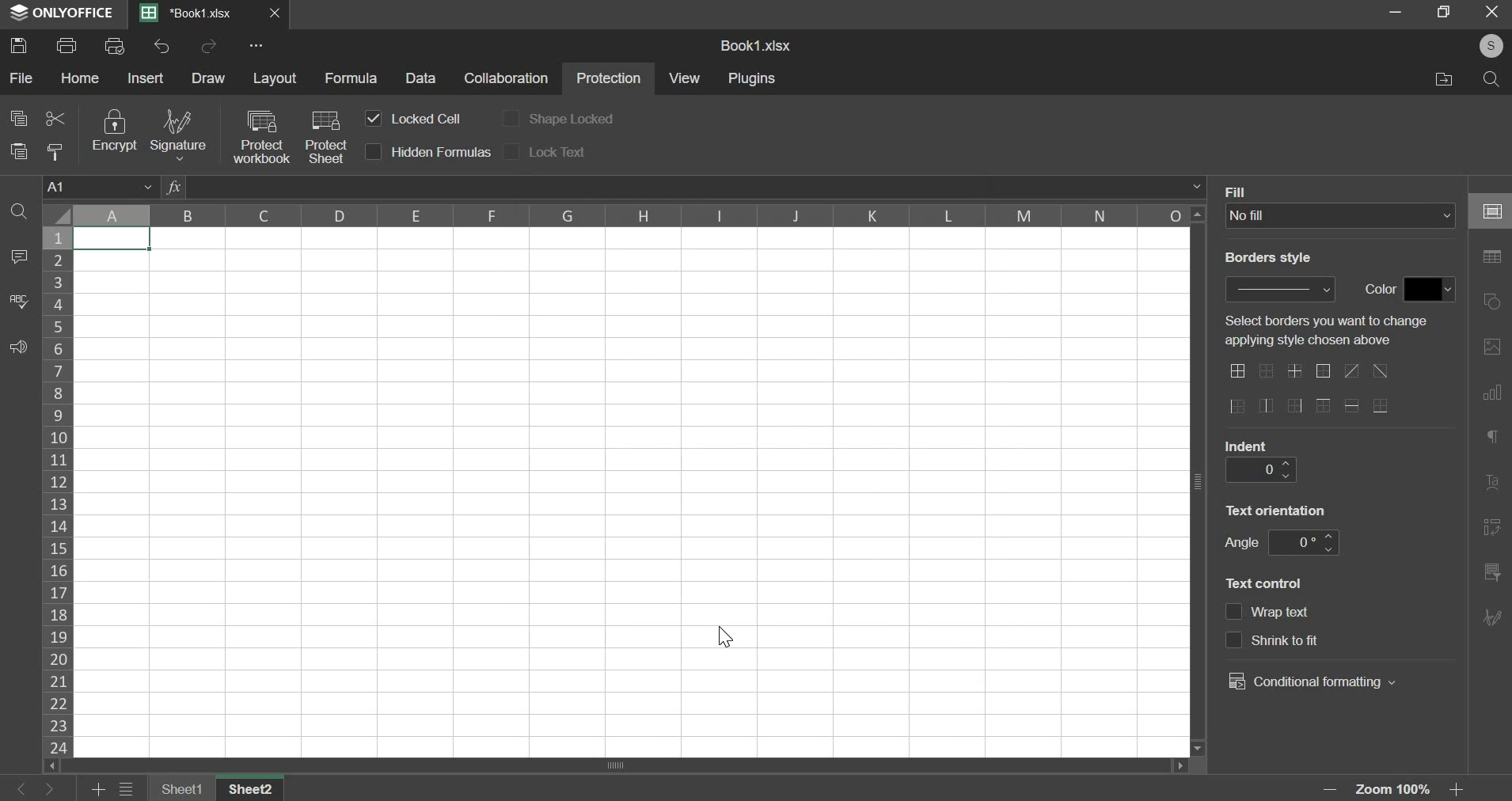 The image size is (1512, 801). Describe the element at coordinates (686, 78) in the screenshot. I see `view` at that location.